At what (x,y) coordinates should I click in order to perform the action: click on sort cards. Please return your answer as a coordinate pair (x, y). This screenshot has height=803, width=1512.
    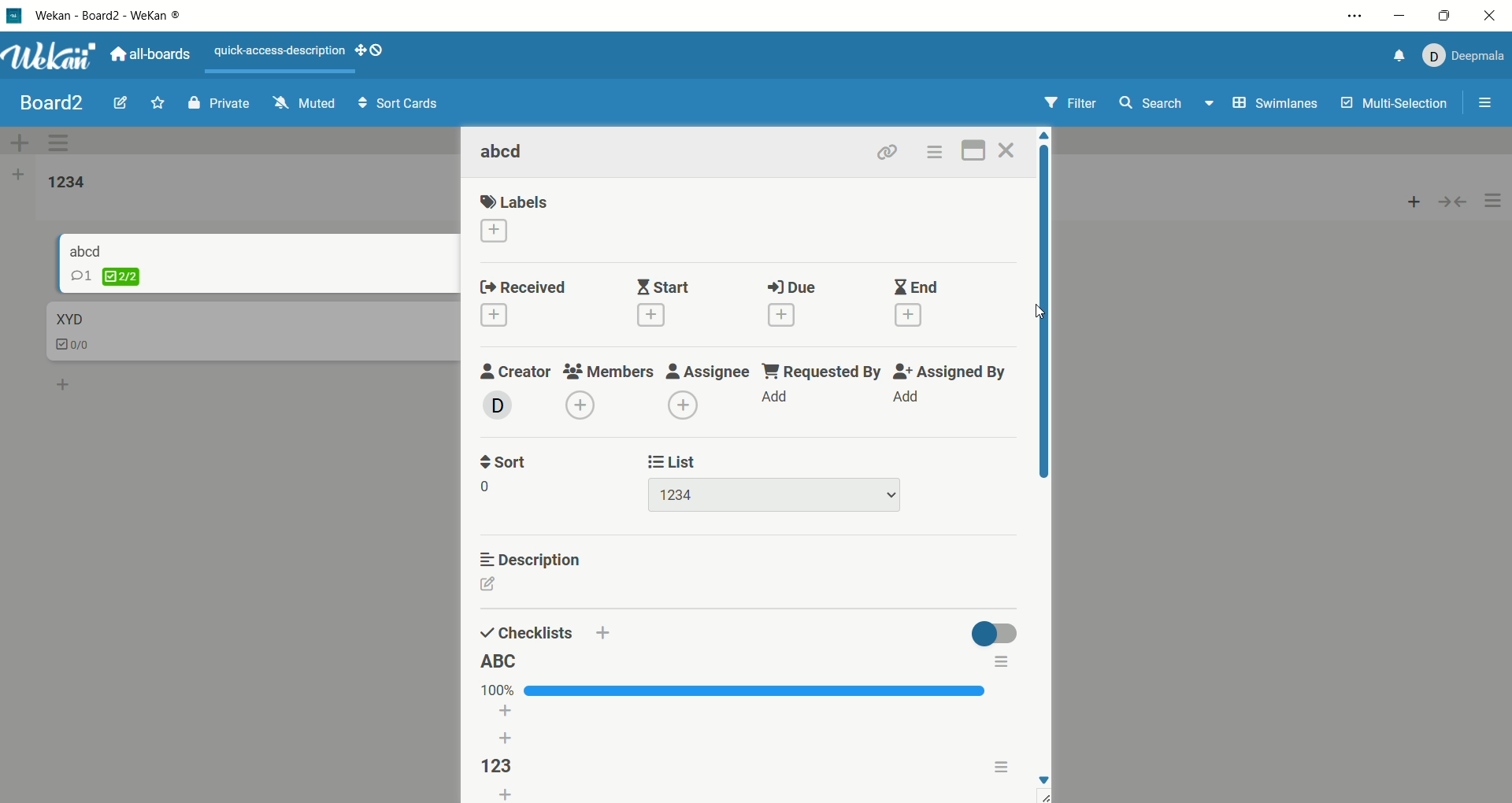
    Looking at the image, I should click on (398, 105).